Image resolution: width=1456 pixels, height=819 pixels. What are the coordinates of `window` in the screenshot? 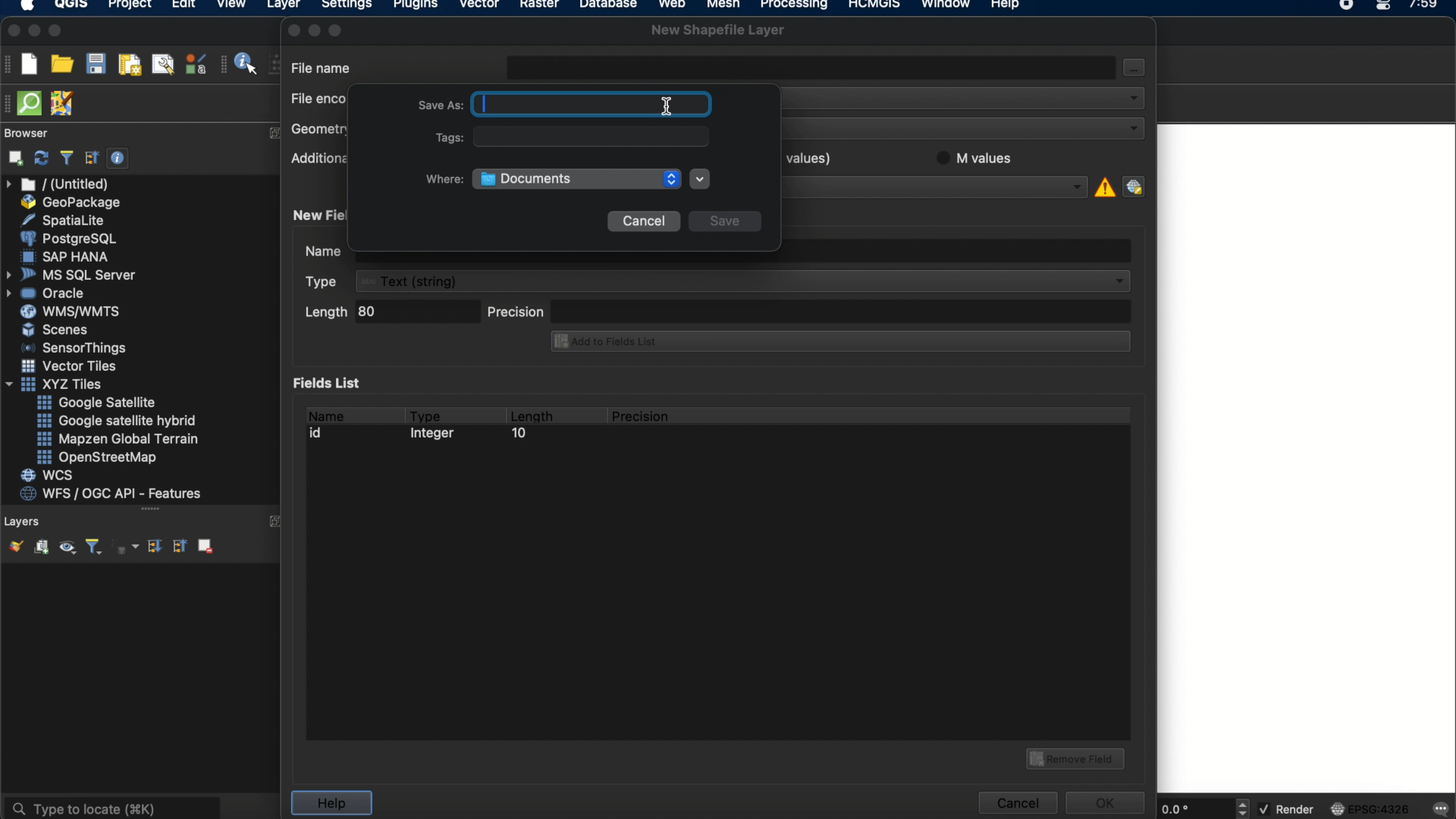 It's located at (949, 6).